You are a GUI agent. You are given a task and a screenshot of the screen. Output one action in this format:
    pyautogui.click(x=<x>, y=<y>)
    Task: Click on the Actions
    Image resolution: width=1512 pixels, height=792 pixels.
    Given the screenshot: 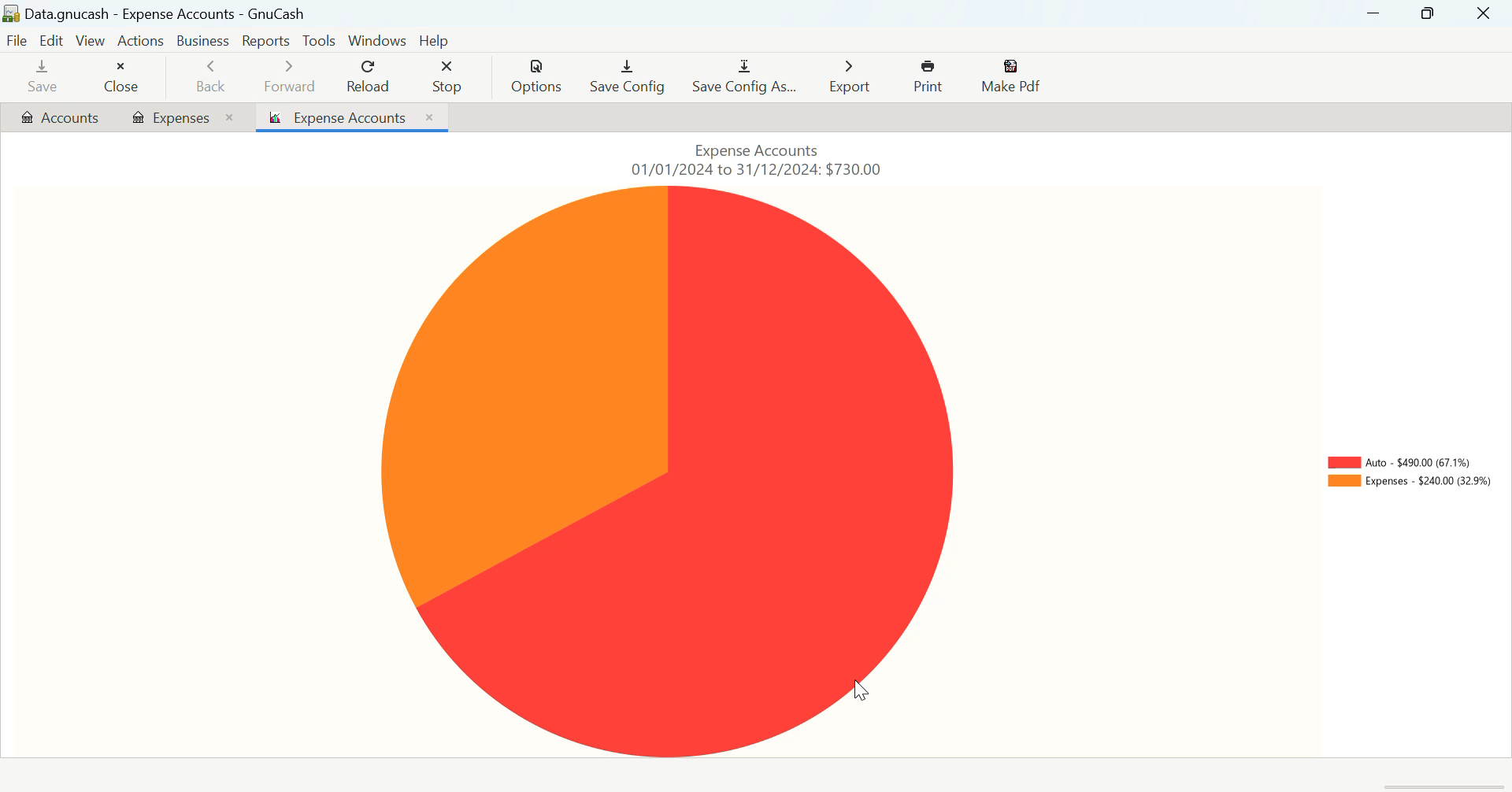 What is the action you would take?
    pyautogui.click(x=143, y=43)
    